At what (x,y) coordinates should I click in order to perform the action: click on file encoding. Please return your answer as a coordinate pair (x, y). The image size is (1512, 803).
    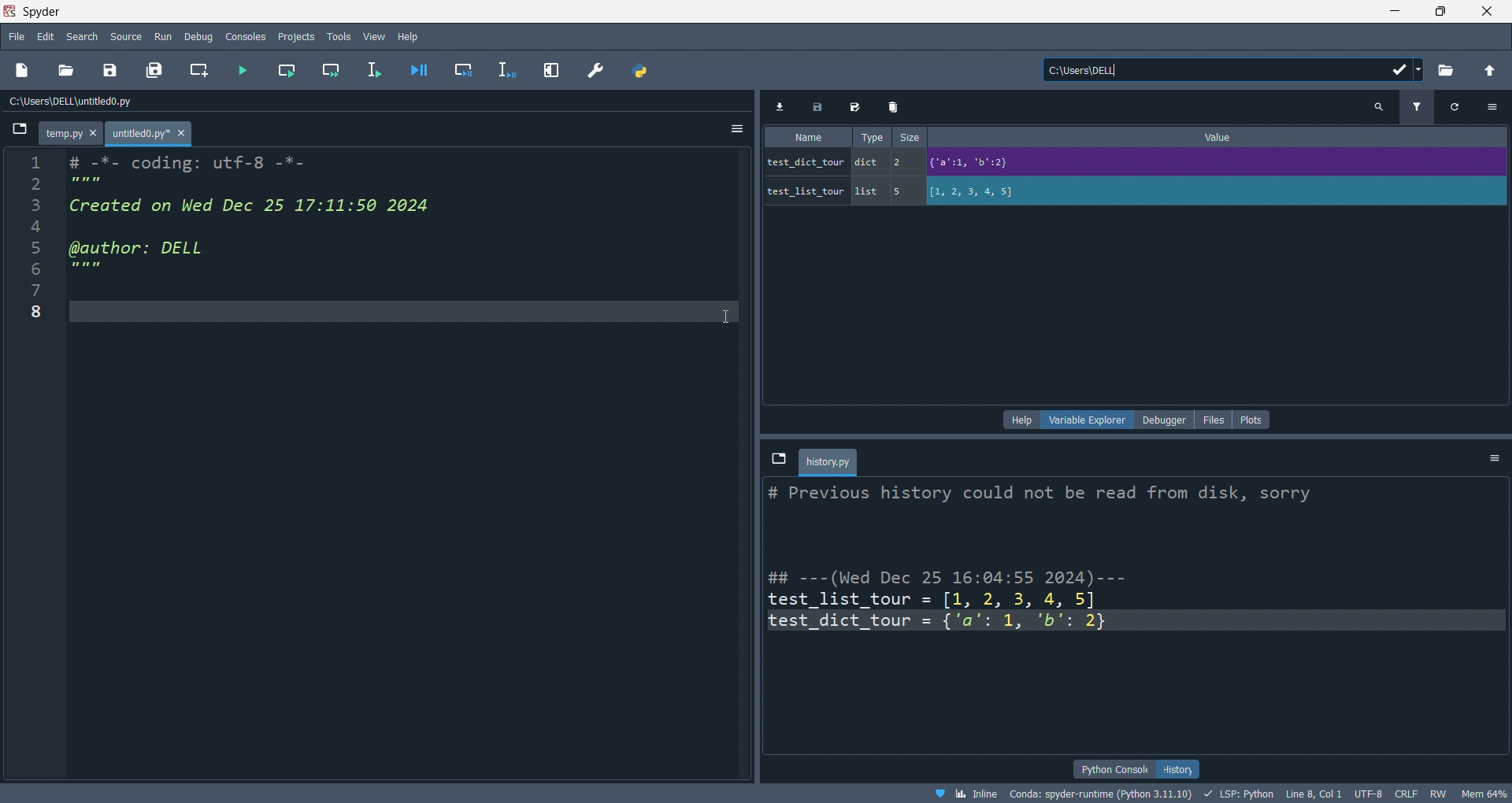
    Looking at the image, I should click on (1367, 794).